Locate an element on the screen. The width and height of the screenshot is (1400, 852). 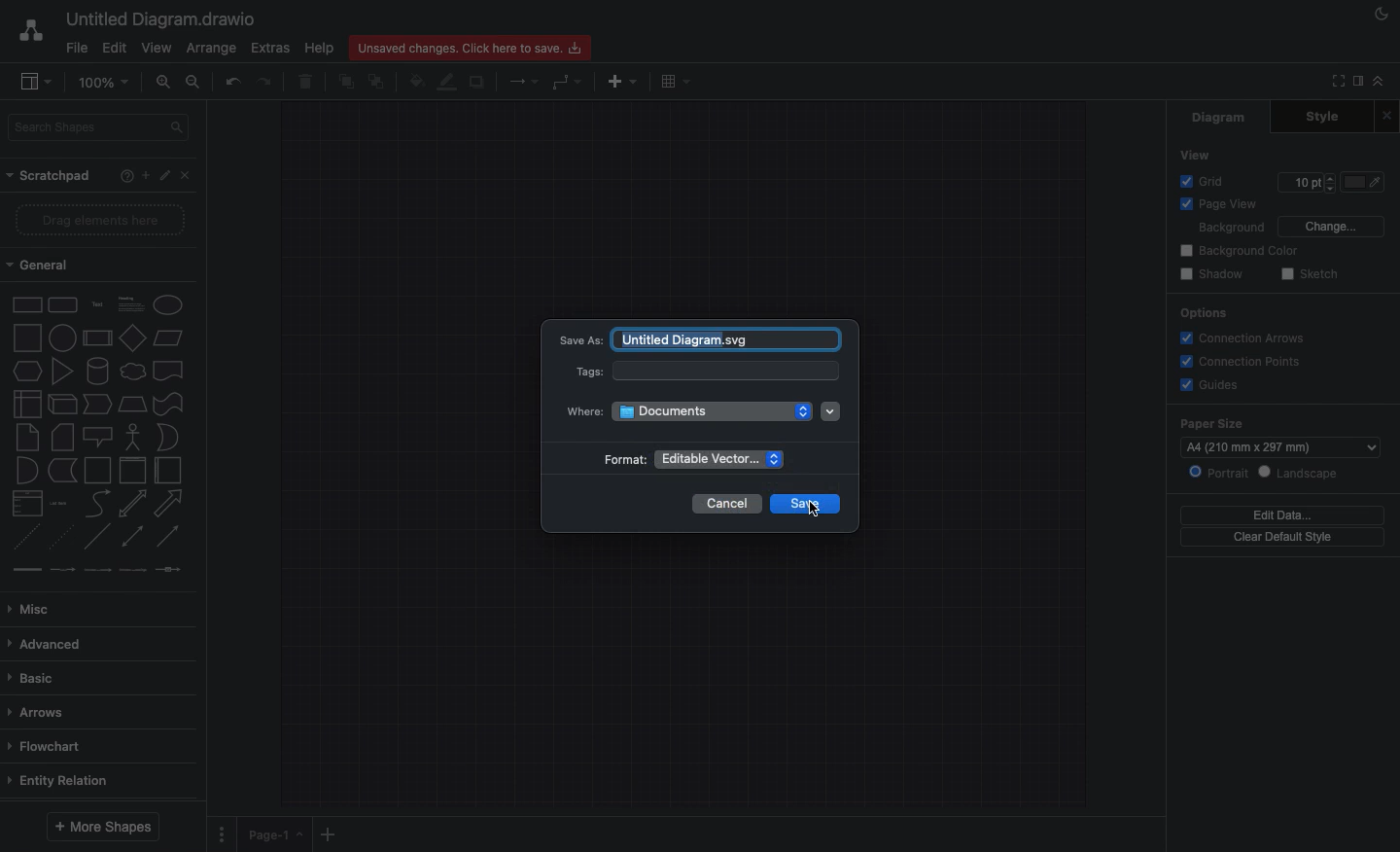
File is located at coordinates (76, 49).